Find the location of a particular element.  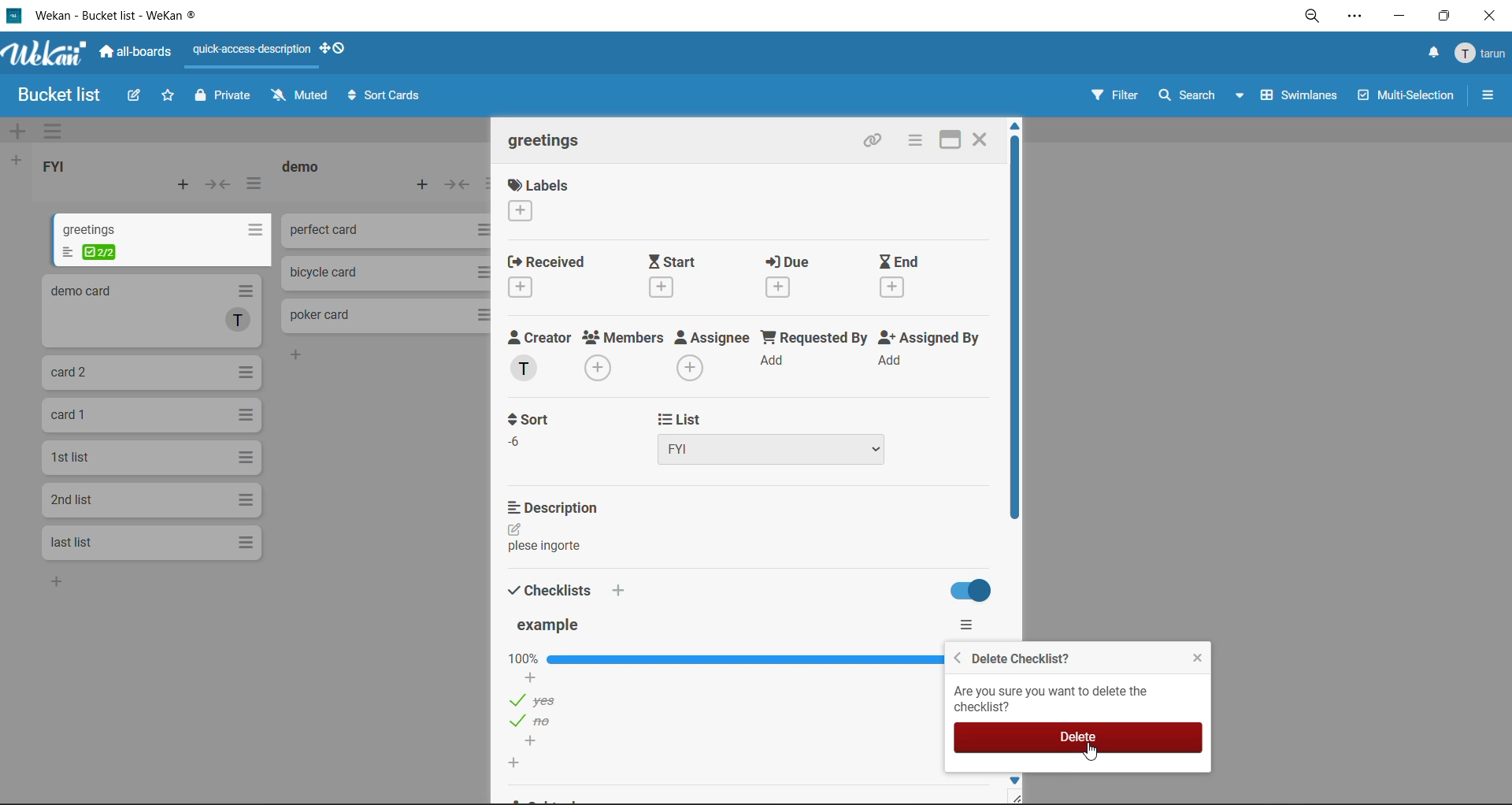

due is located at coordinates (783, 277).